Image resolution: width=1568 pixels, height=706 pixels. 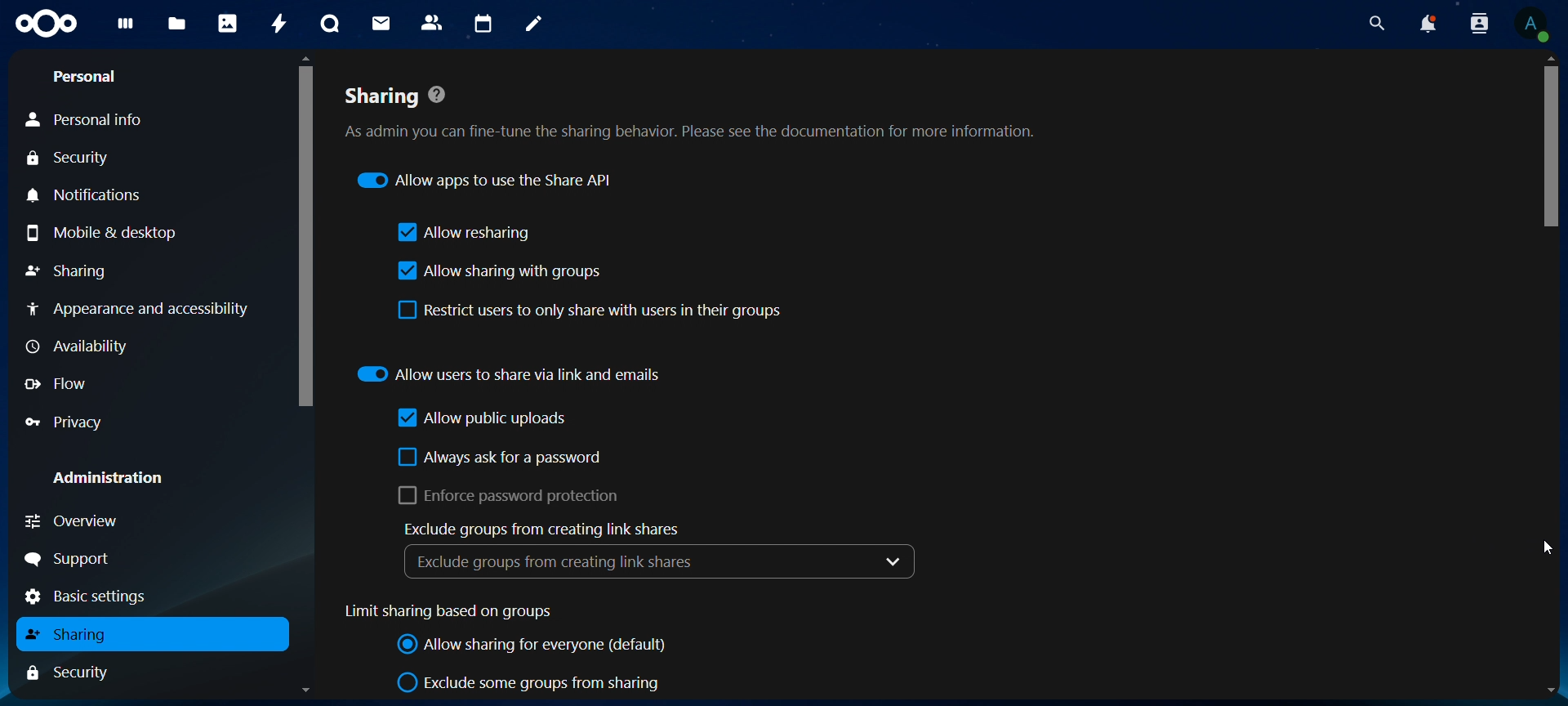 I want to click on mobile & desktop, so click(x=116, y=234).